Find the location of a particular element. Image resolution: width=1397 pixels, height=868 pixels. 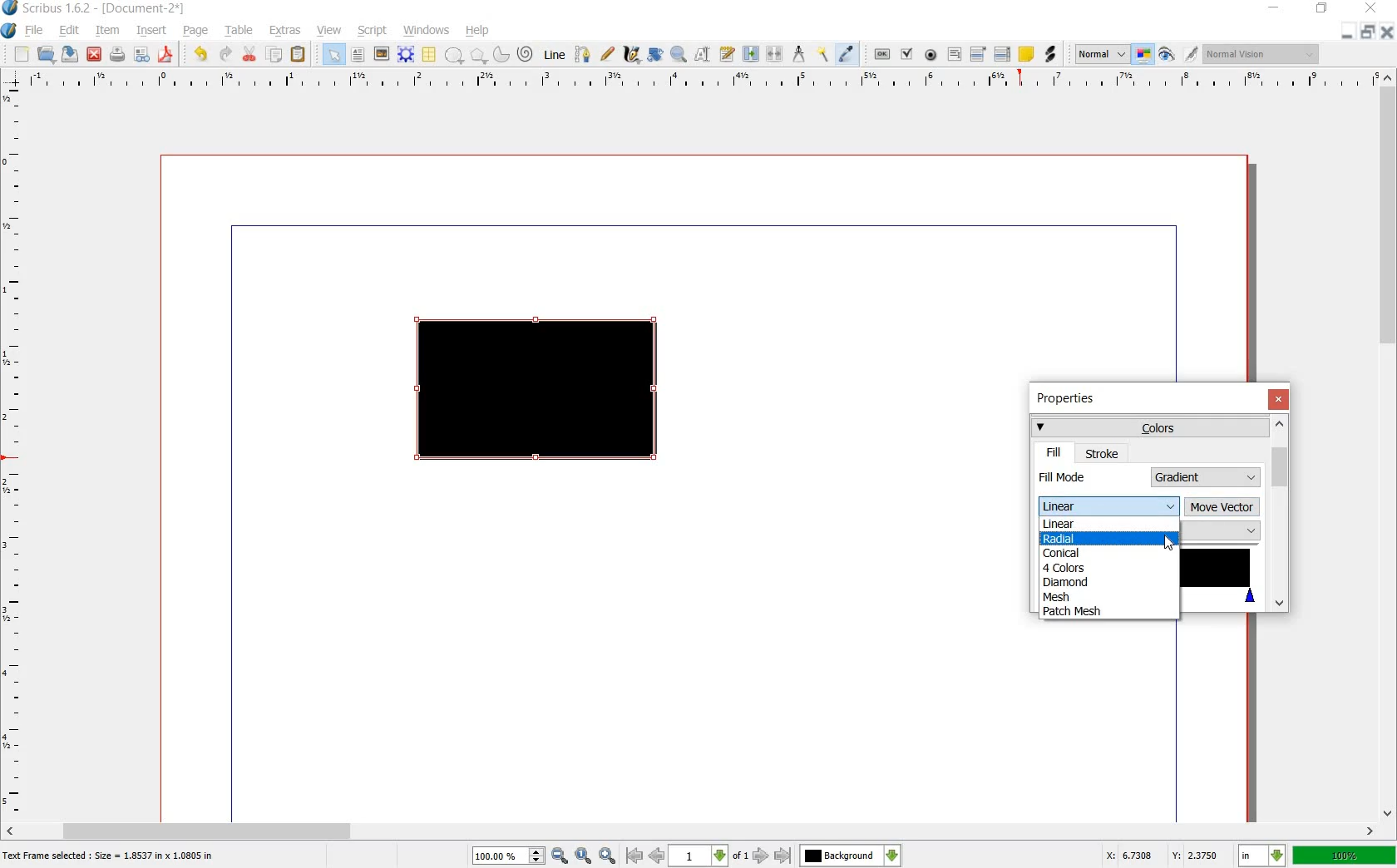

polygon is located at coordinates (476, 55).